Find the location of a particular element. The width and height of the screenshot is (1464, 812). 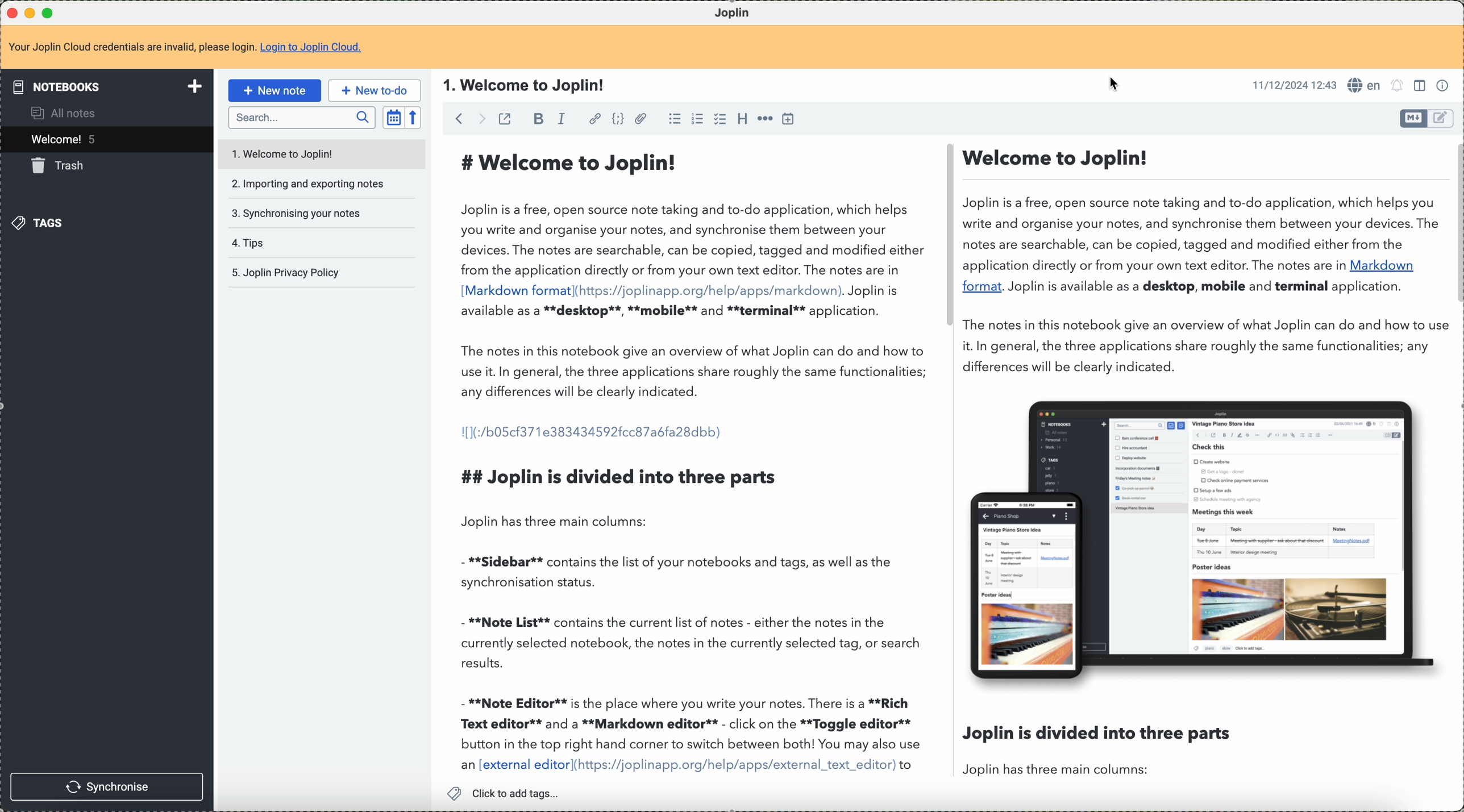

bulleted list is located at coordinates (674, 119).